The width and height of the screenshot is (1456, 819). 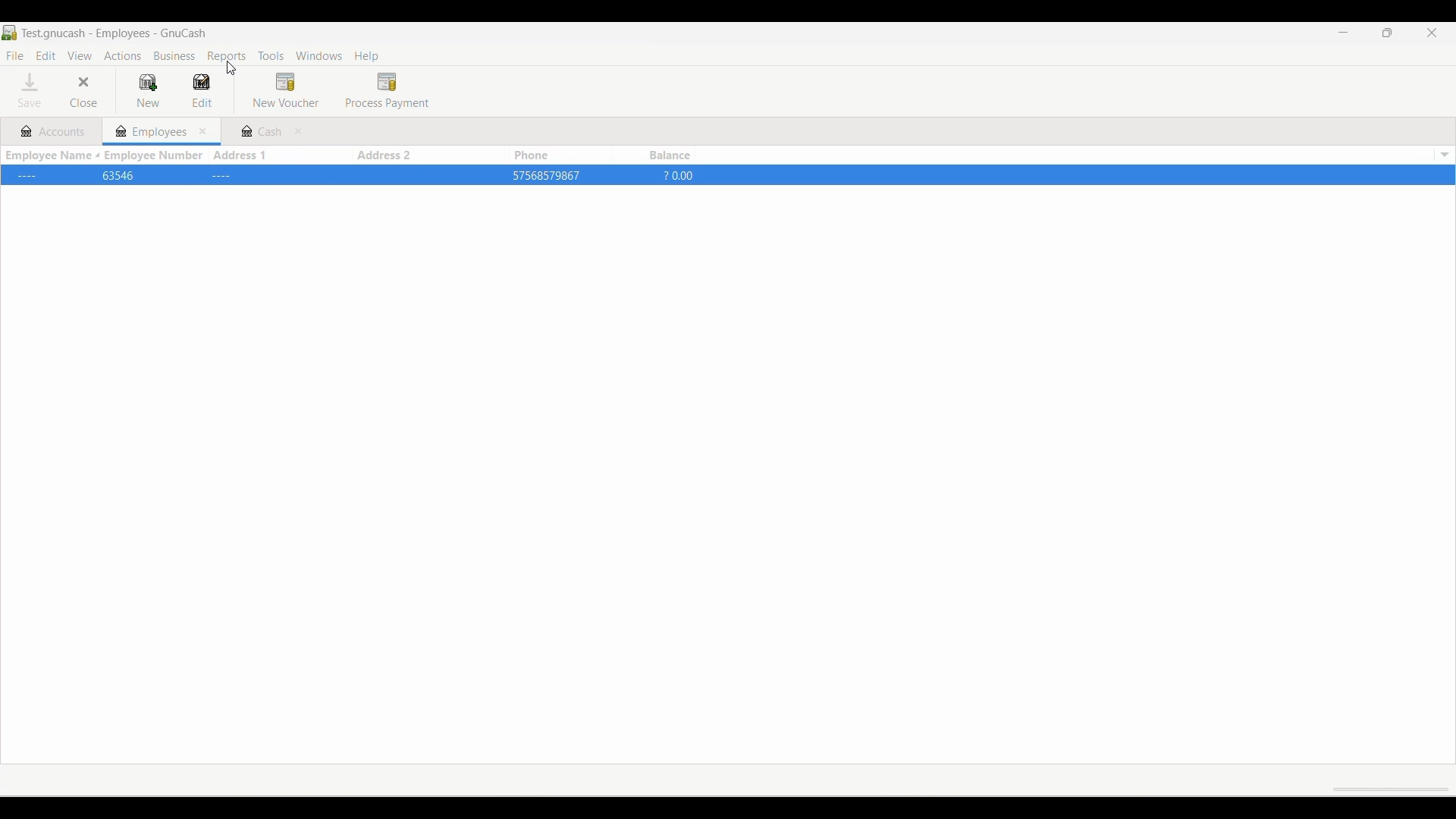 What do you see at coordinates (1432, 33) in the screenshot?
I see `Close interface` at bounding box center [1432, 33].